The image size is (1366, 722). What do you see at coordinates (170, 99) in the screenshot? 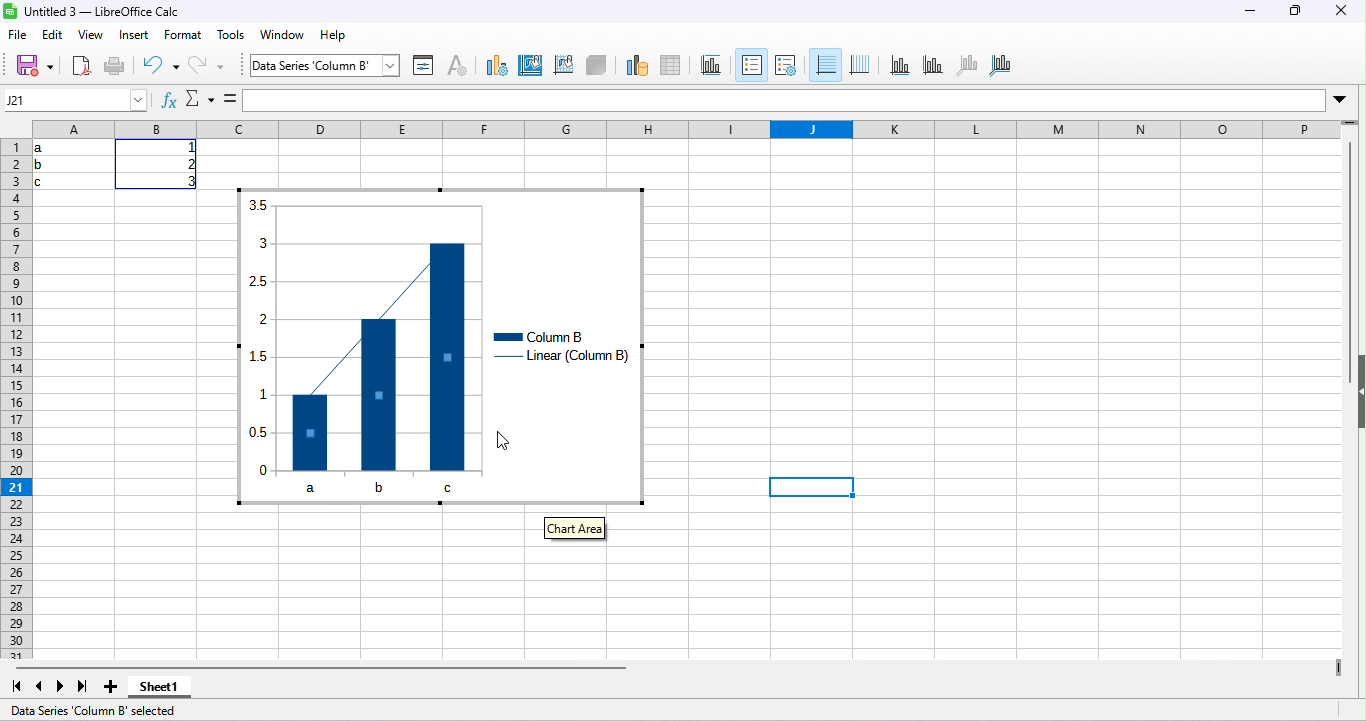
I see `functions wizerd` at bounding box center [170, 99].